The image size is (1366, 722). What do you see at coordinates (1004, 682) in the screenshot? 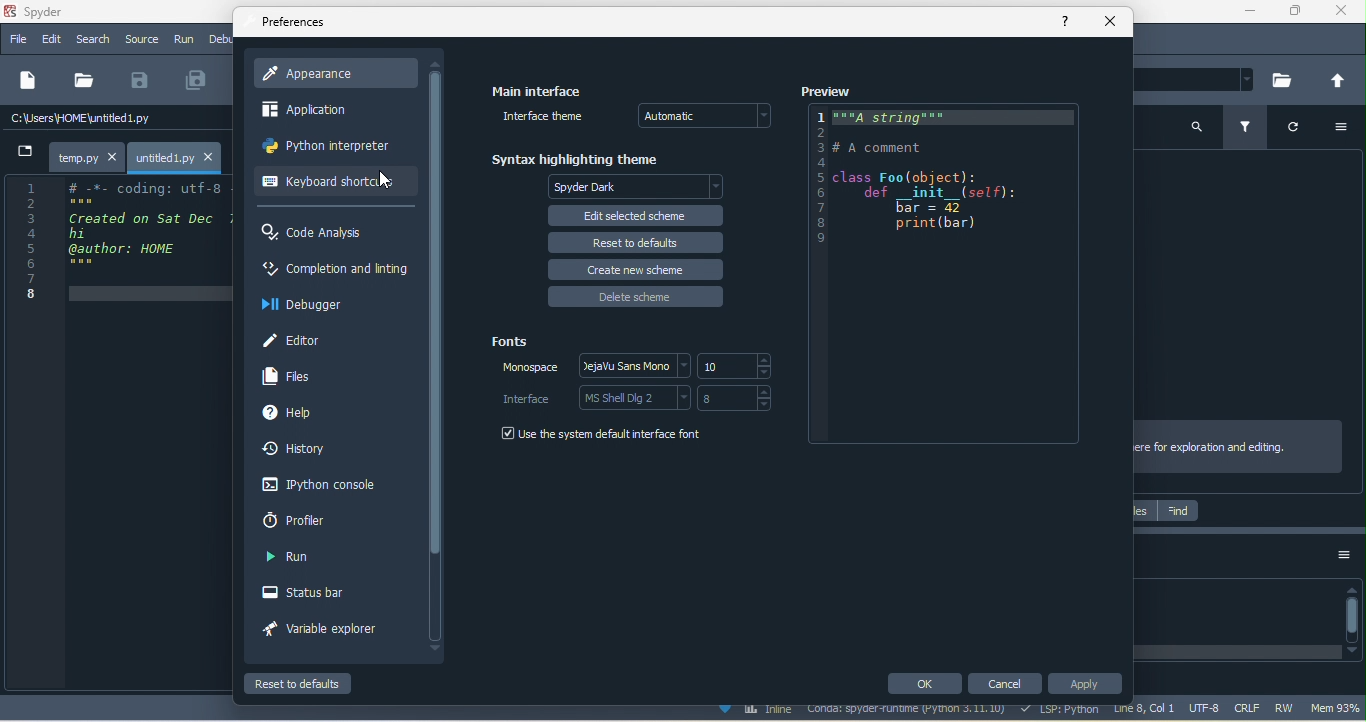
I see `cancel` at bounding box center [1004, 682].